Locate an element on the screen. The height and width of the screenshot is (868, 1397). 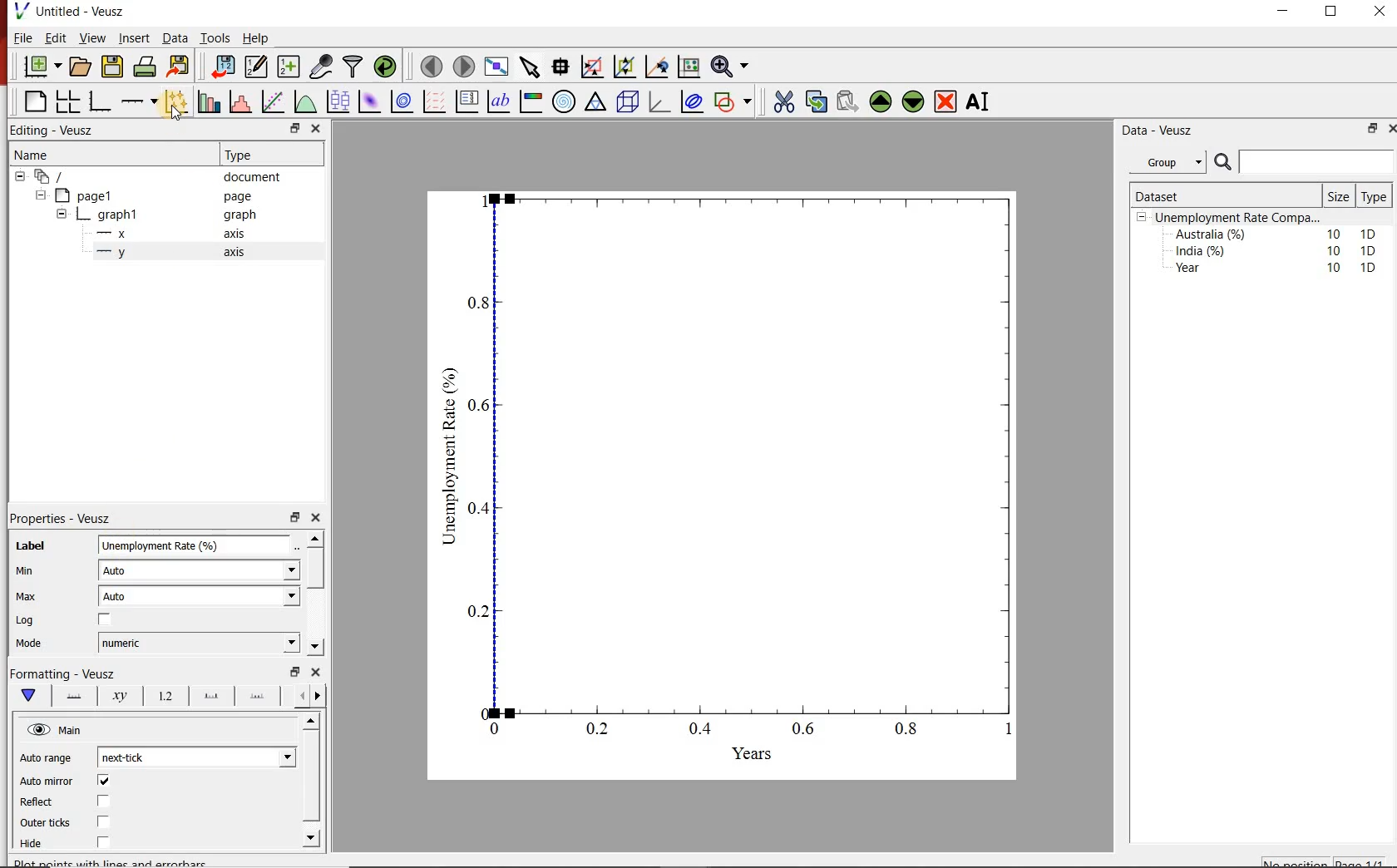
graph chart is located at coordinates (723, 486).